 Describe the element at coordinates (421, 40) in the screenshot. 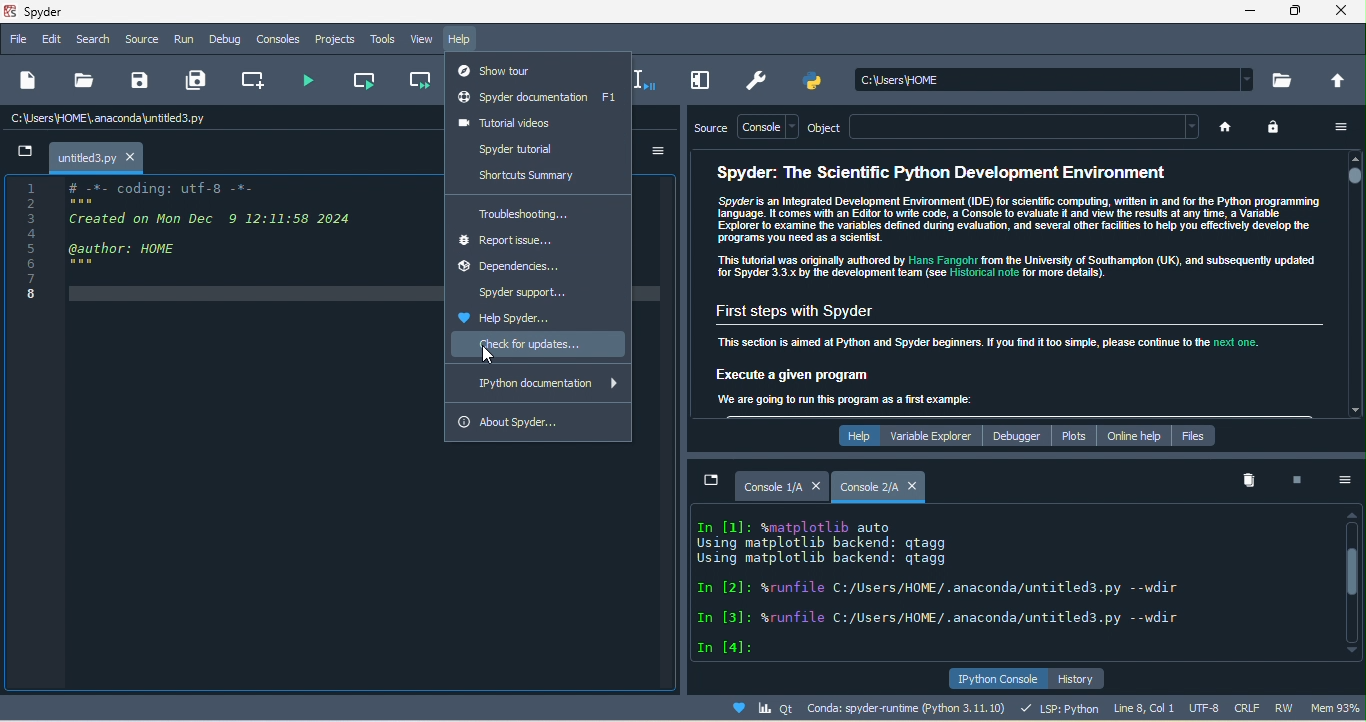

I see `view` at that location.